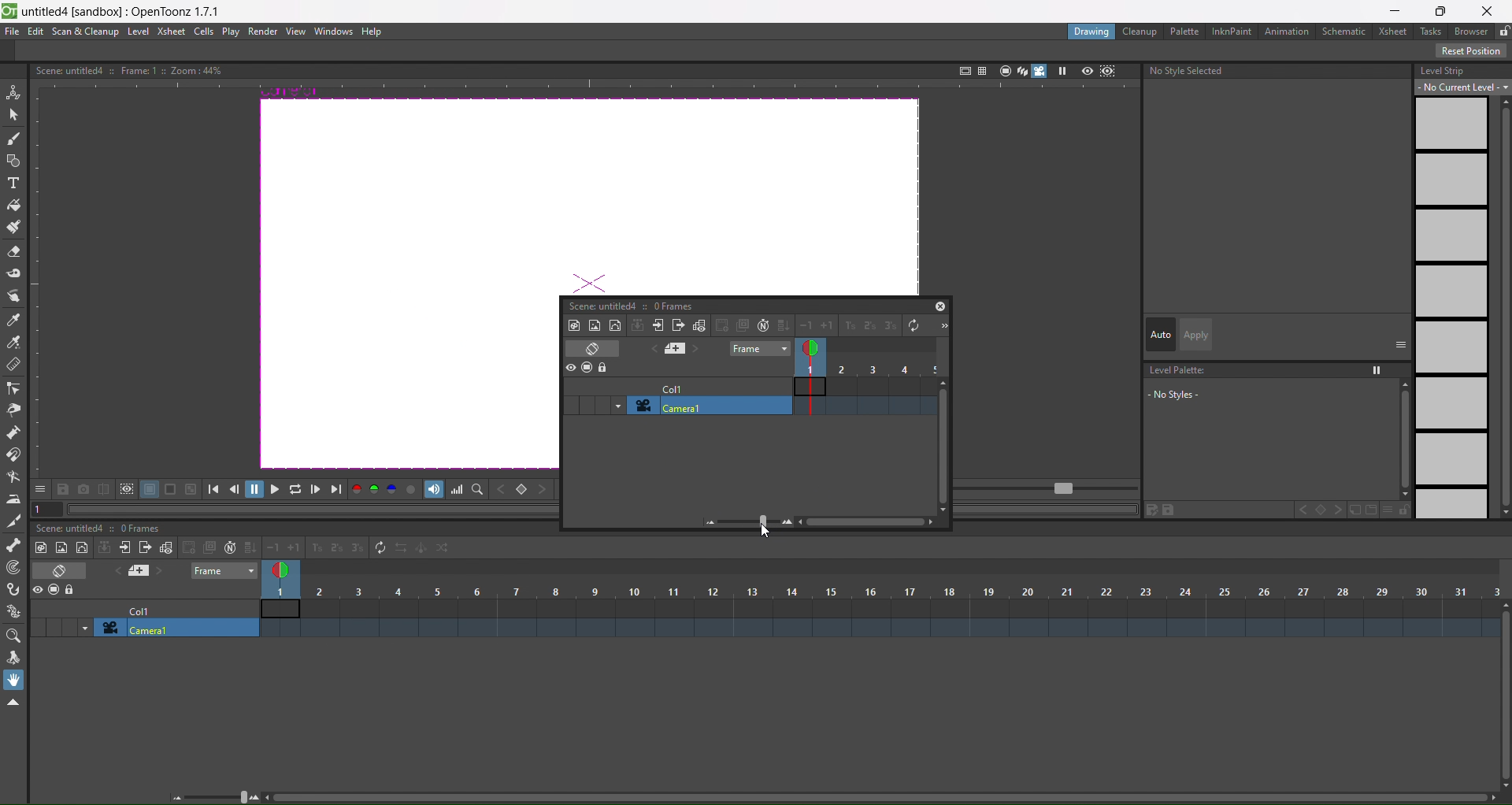 The height and width of the screenshot is (805, 1512). I want to click on new vector level, so click(615, 325).